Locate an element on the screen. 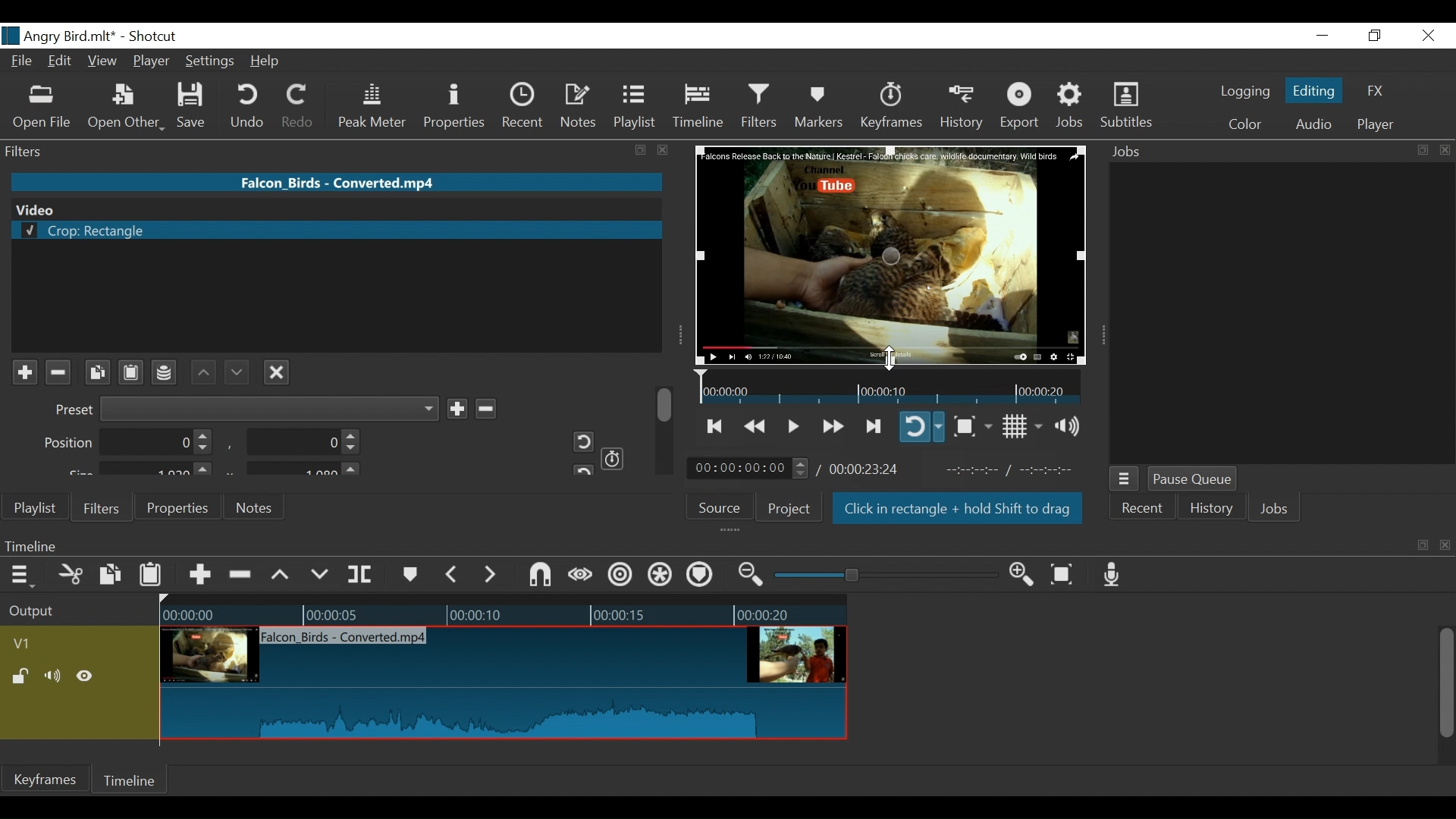 Image resolution: width=1456 pixels, height=819 pixels. FX is located at coordinates (1373, 93).